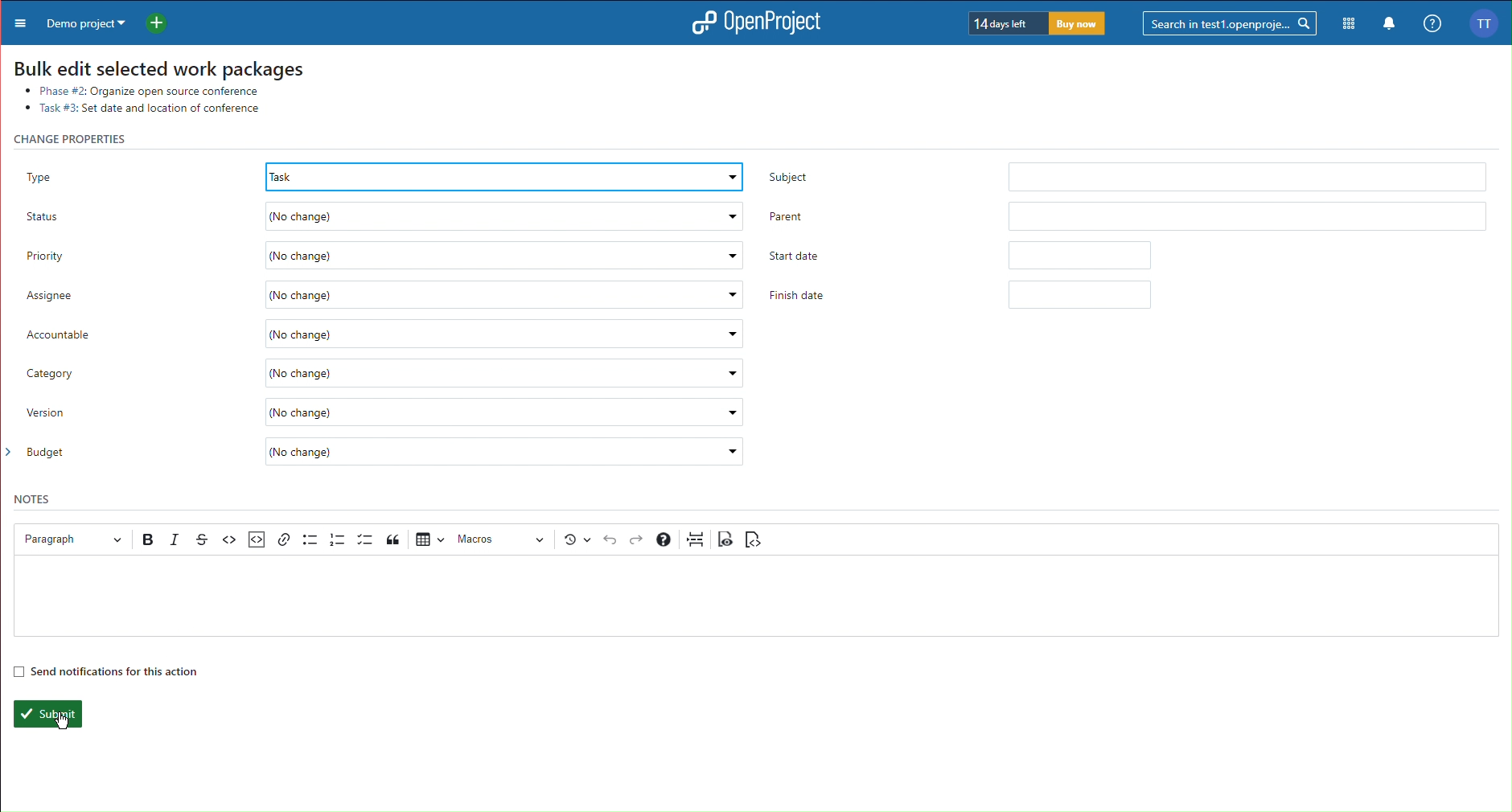 This screenshot has height=812, width=1512. Describe the element at coordinates (395, 539) in the screenshot. I see `Quote` at that location.